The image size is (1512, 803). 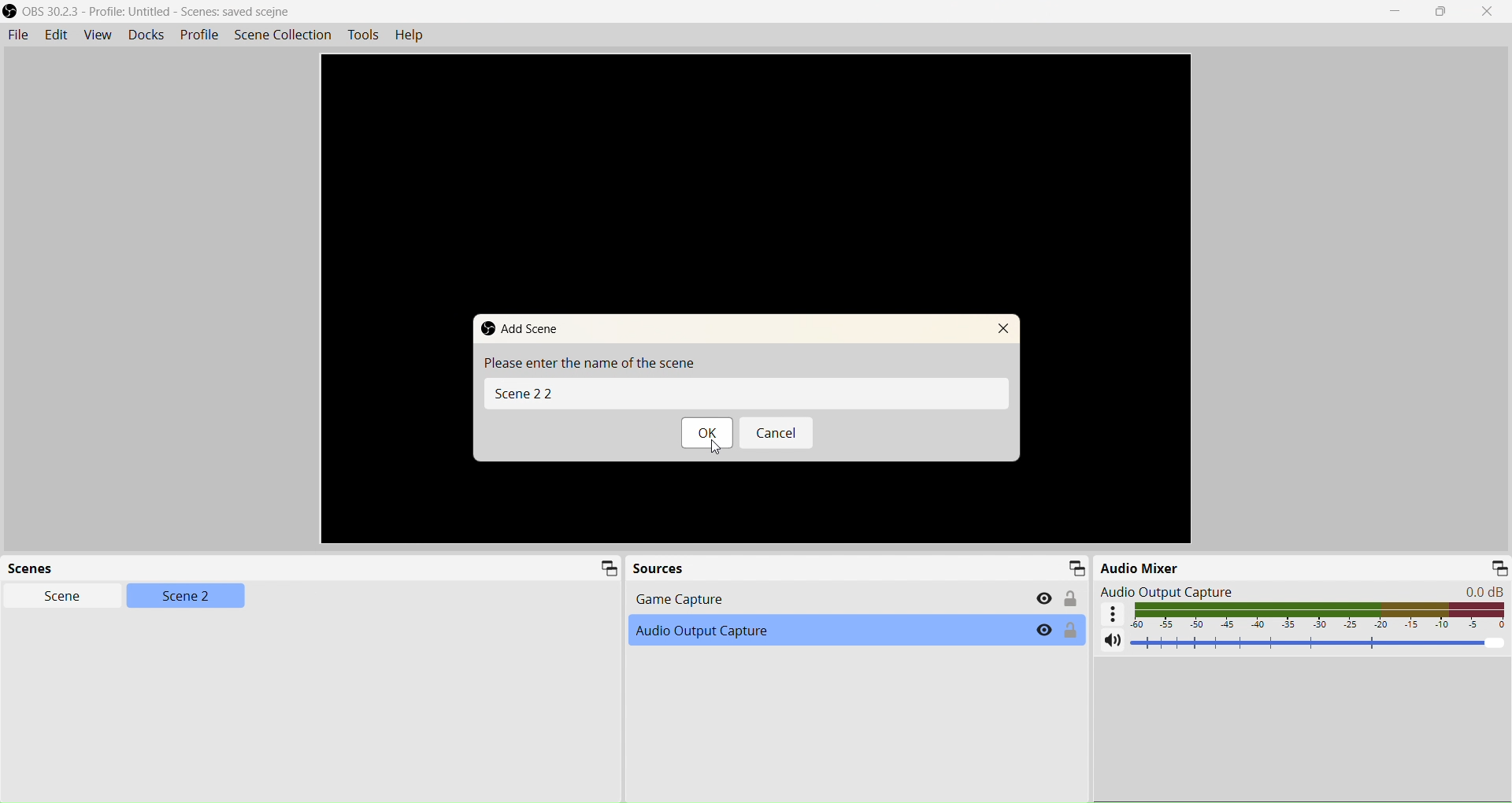 What do you see at coordinates (777, 433) in the screenshot?
I see `Cancel` at bounding box center [777, 433].